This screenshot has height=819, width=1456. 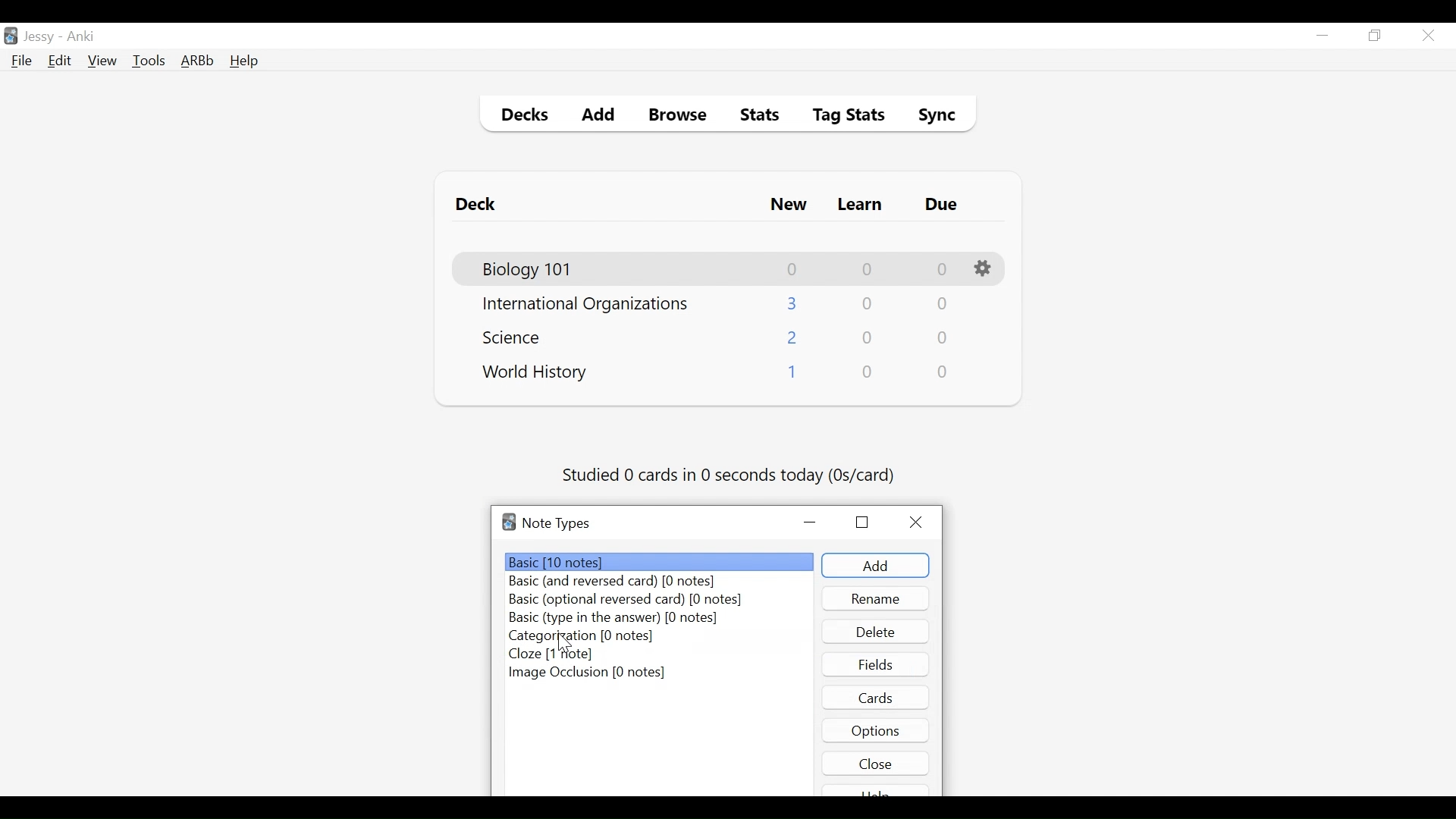 What do you see at coordinates (1428, 36) in the screenshot?
I see `Close` at bounding box center [1428, 36].